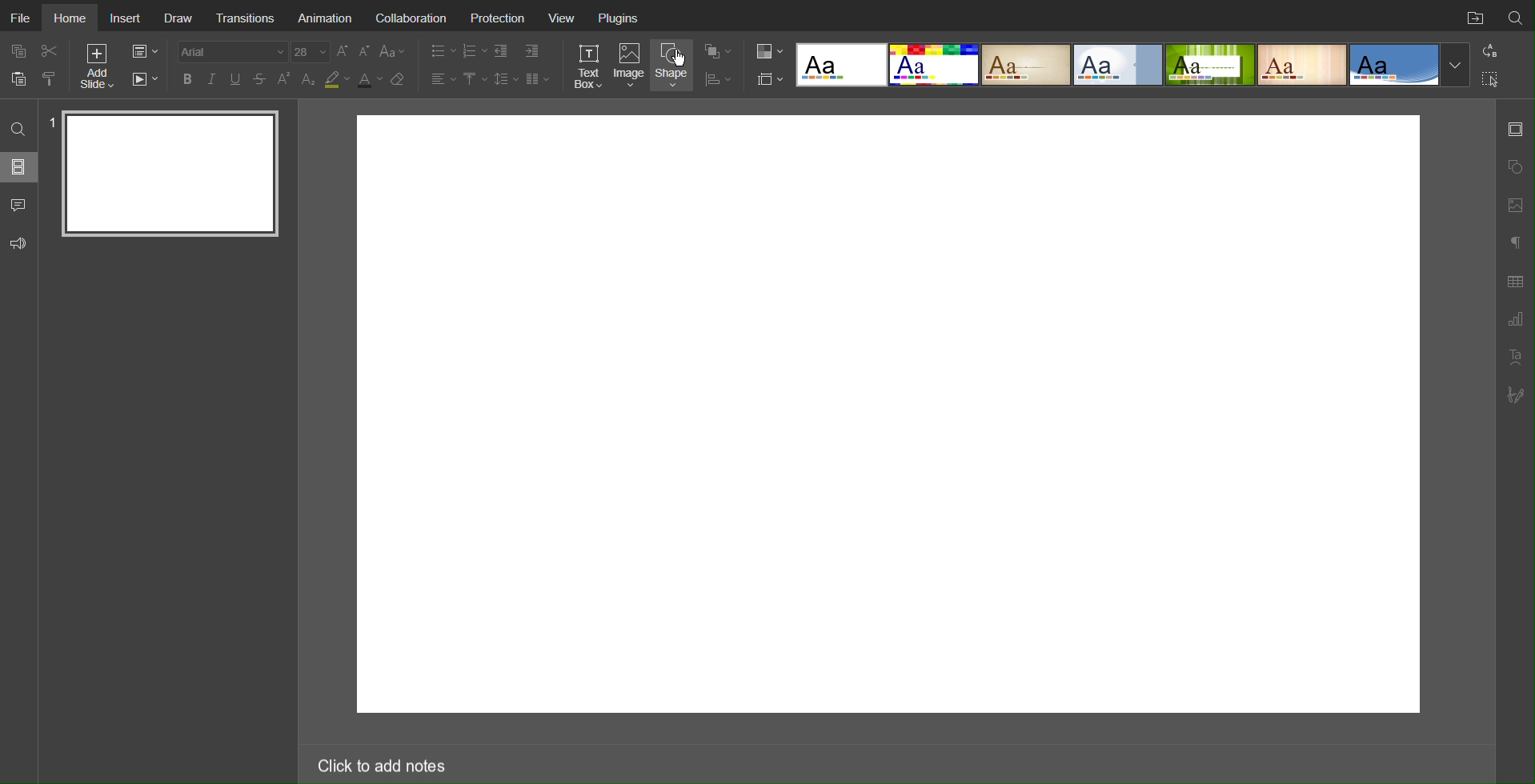  Describe the element at coordinates (717, 50) in the screenshot. I see `Arrangement` at that location.